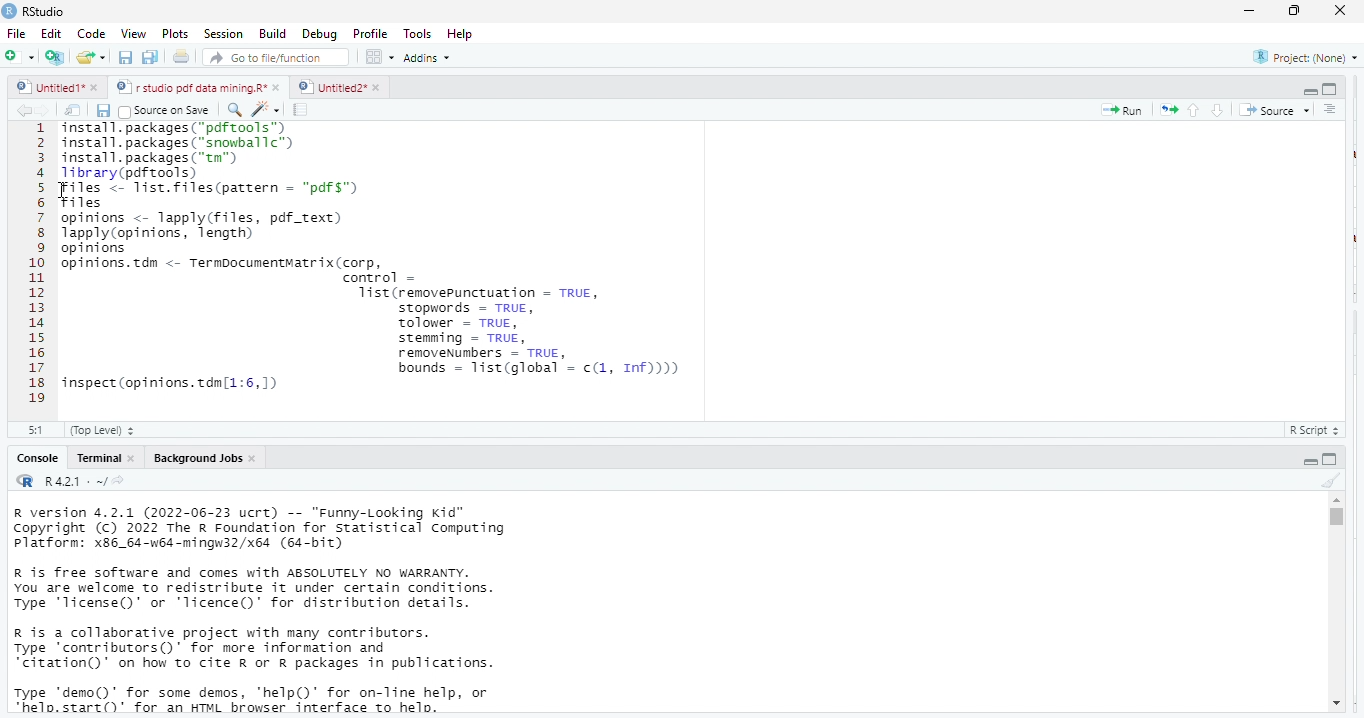 This screenshot has height=718, width=1364. What do you see at coordinates (37, 265) in the screenshot?
I see `123a5E78910111213141516171819` at bounding box center [37, 265].